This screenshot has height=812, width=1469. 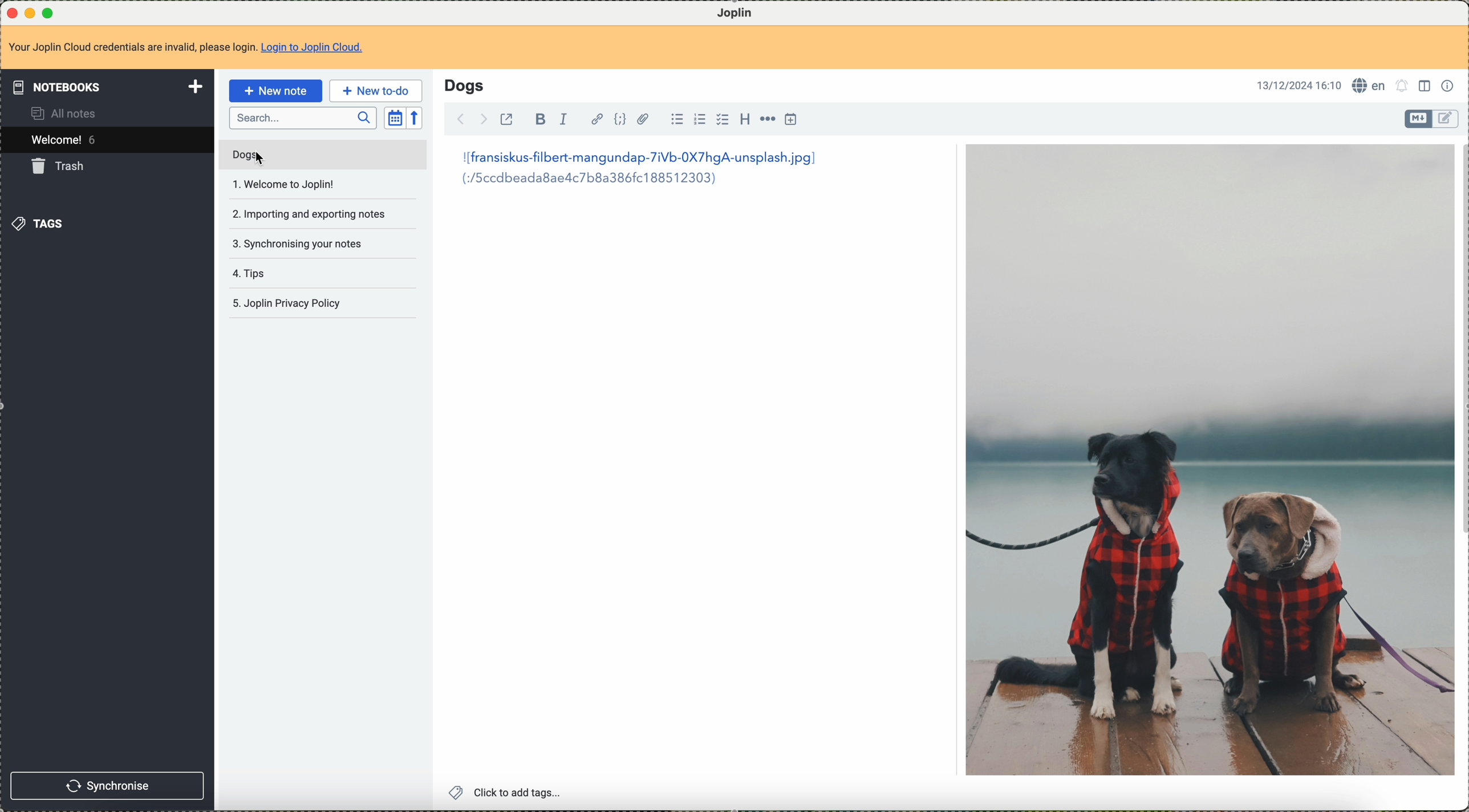 What do you see at coordinates (48, 11) in the screenshot?
I see `maximize` at bounding box center [48, 11].